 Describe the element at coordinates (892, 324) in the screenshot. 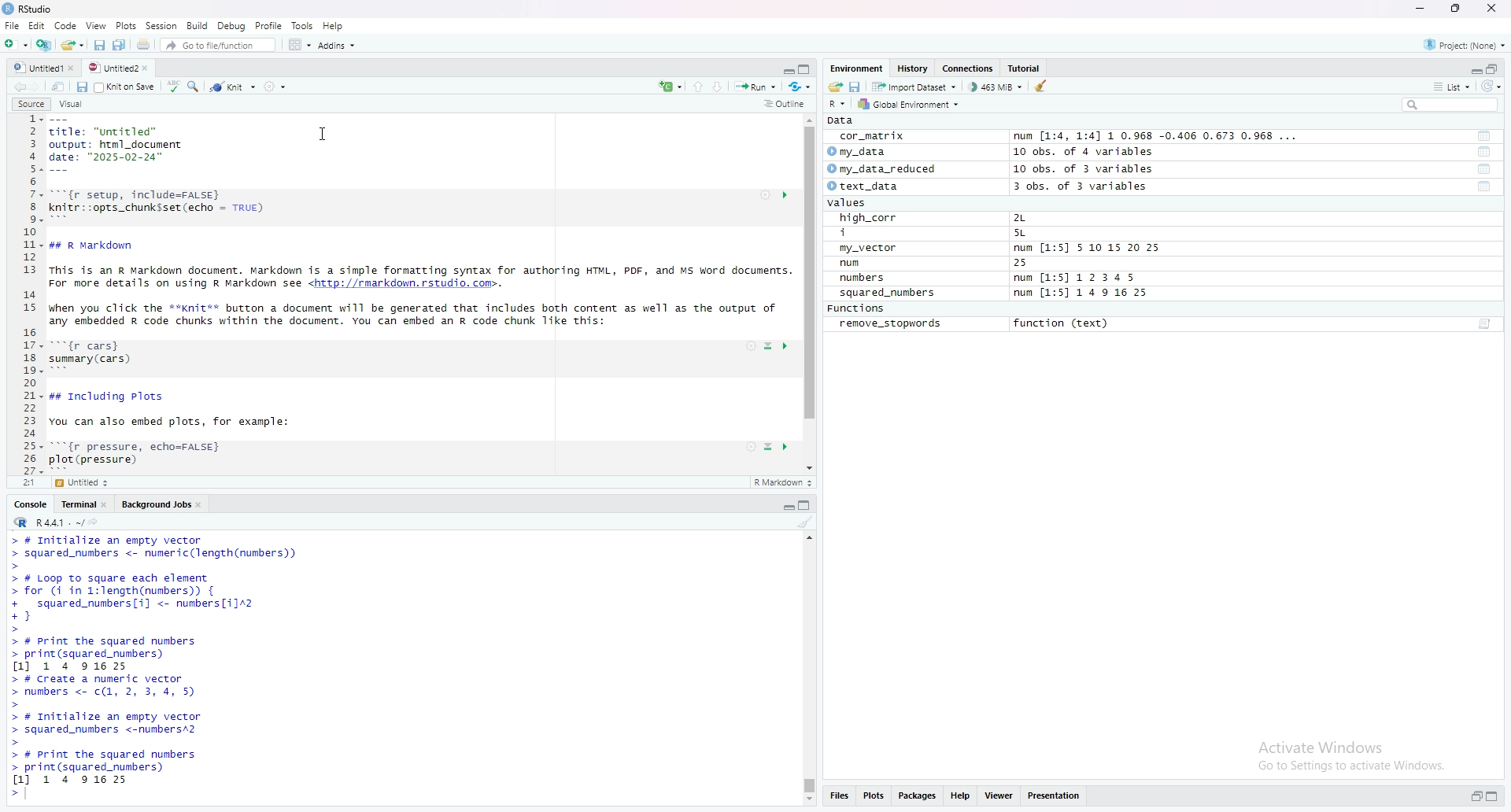

I see `remove_stopwords` at that location.